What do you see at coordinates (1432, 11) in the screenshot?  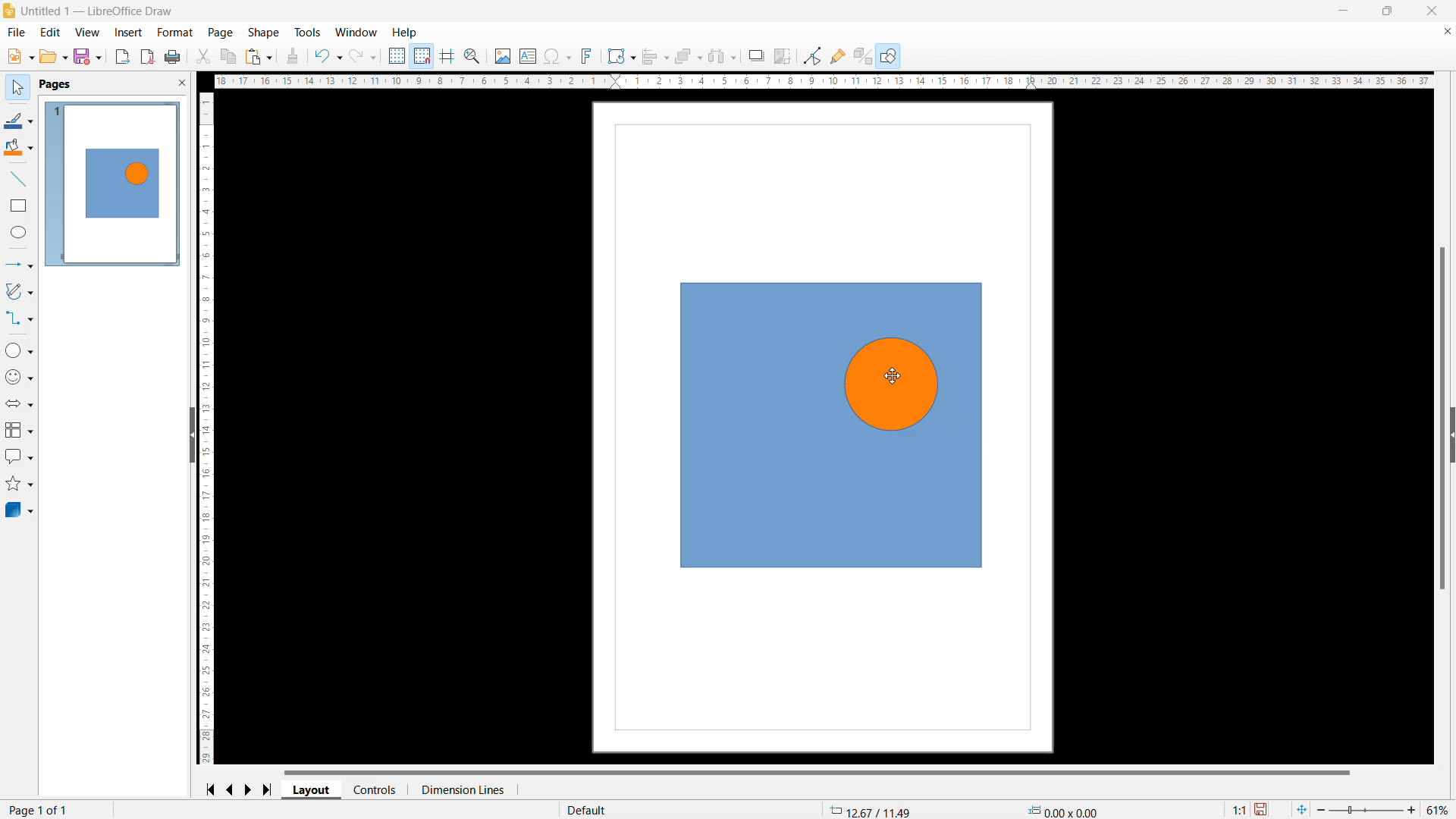 I see `close` at bounding box center [1432, 11].